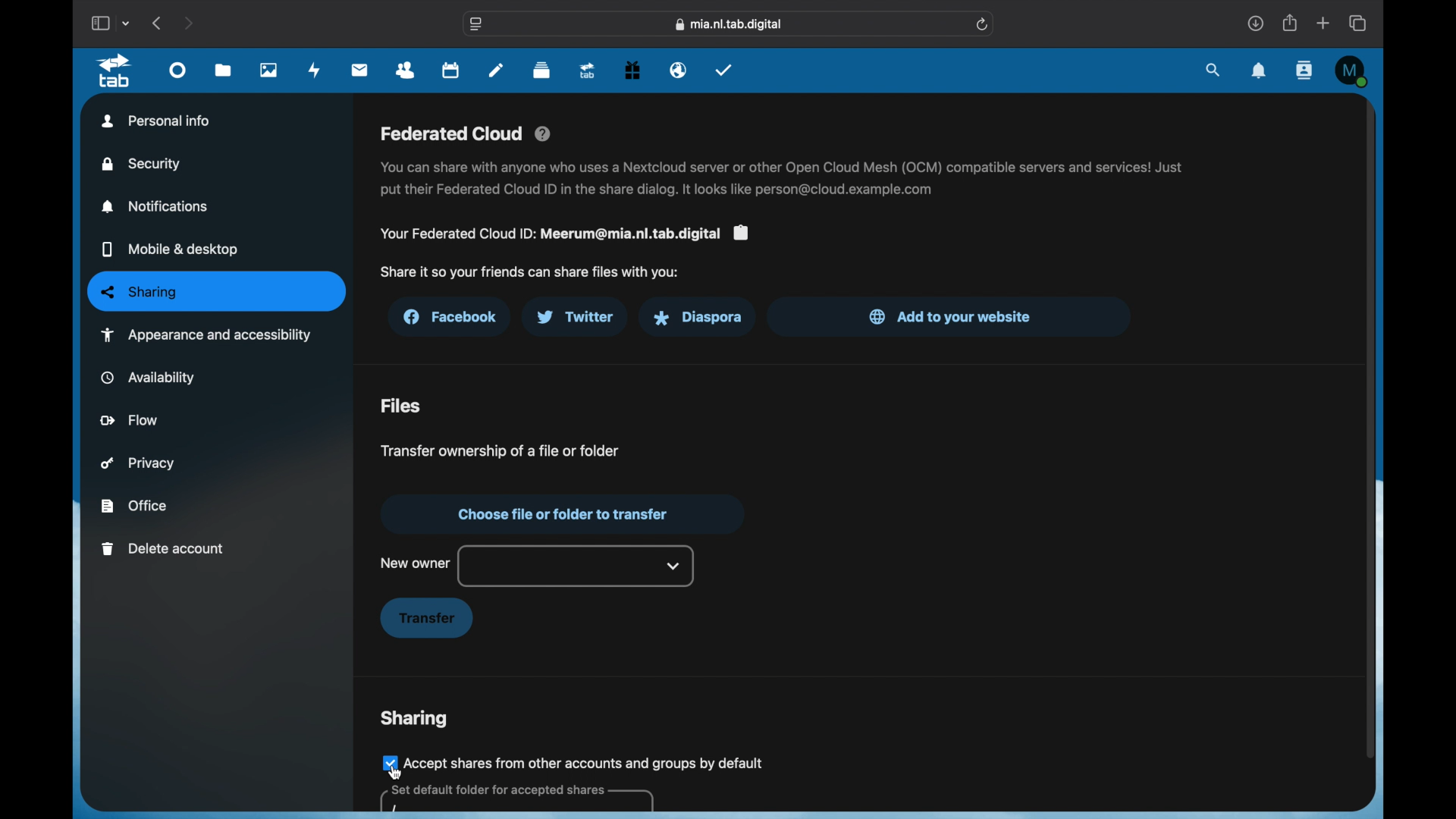  Describe the element at coordinates (731, 24) in the screenshot. I see `web address` at that location.